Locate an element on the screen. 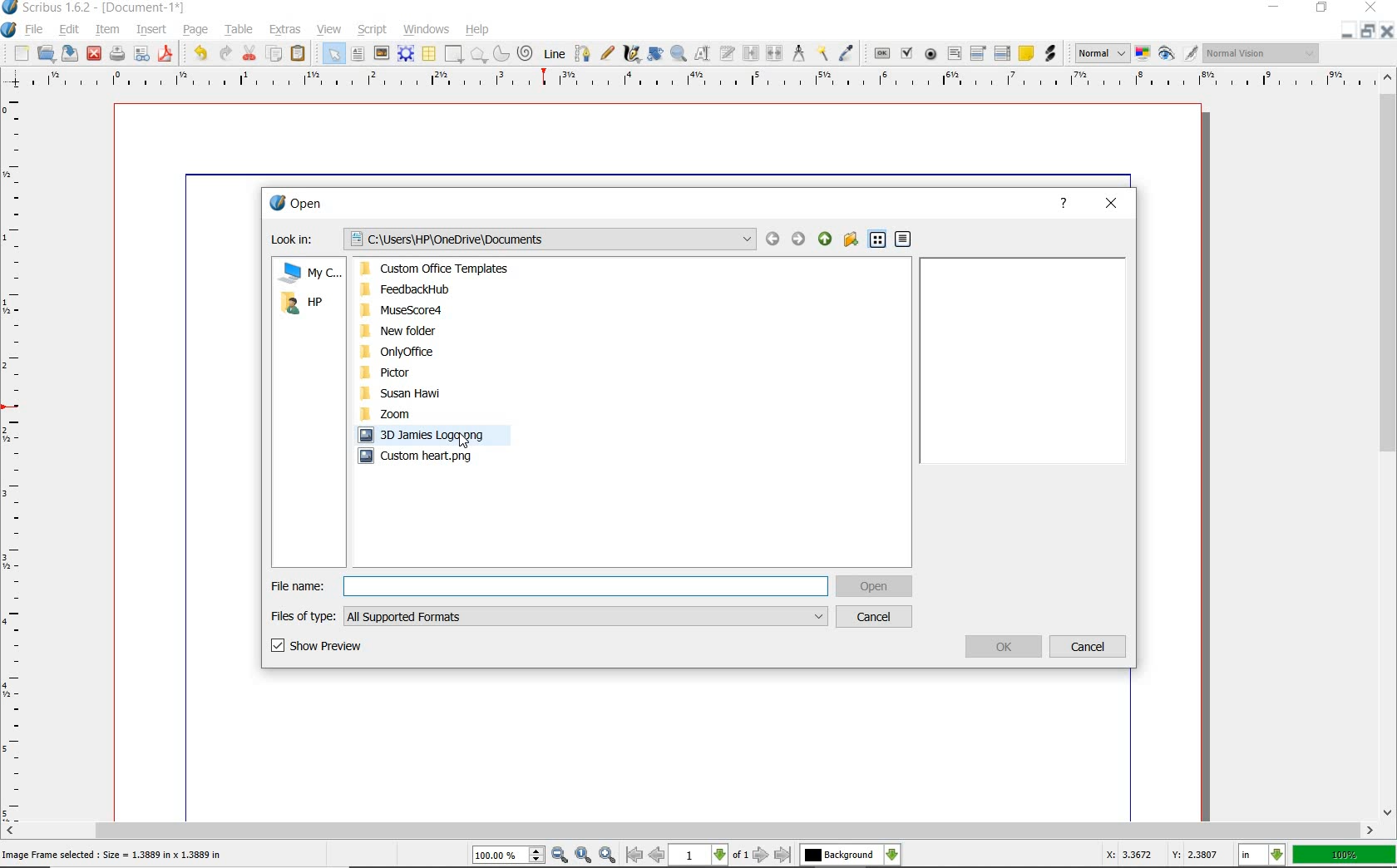 The height and width of the screenshot is (868, 1397). save is located at coordinates (72, 52).